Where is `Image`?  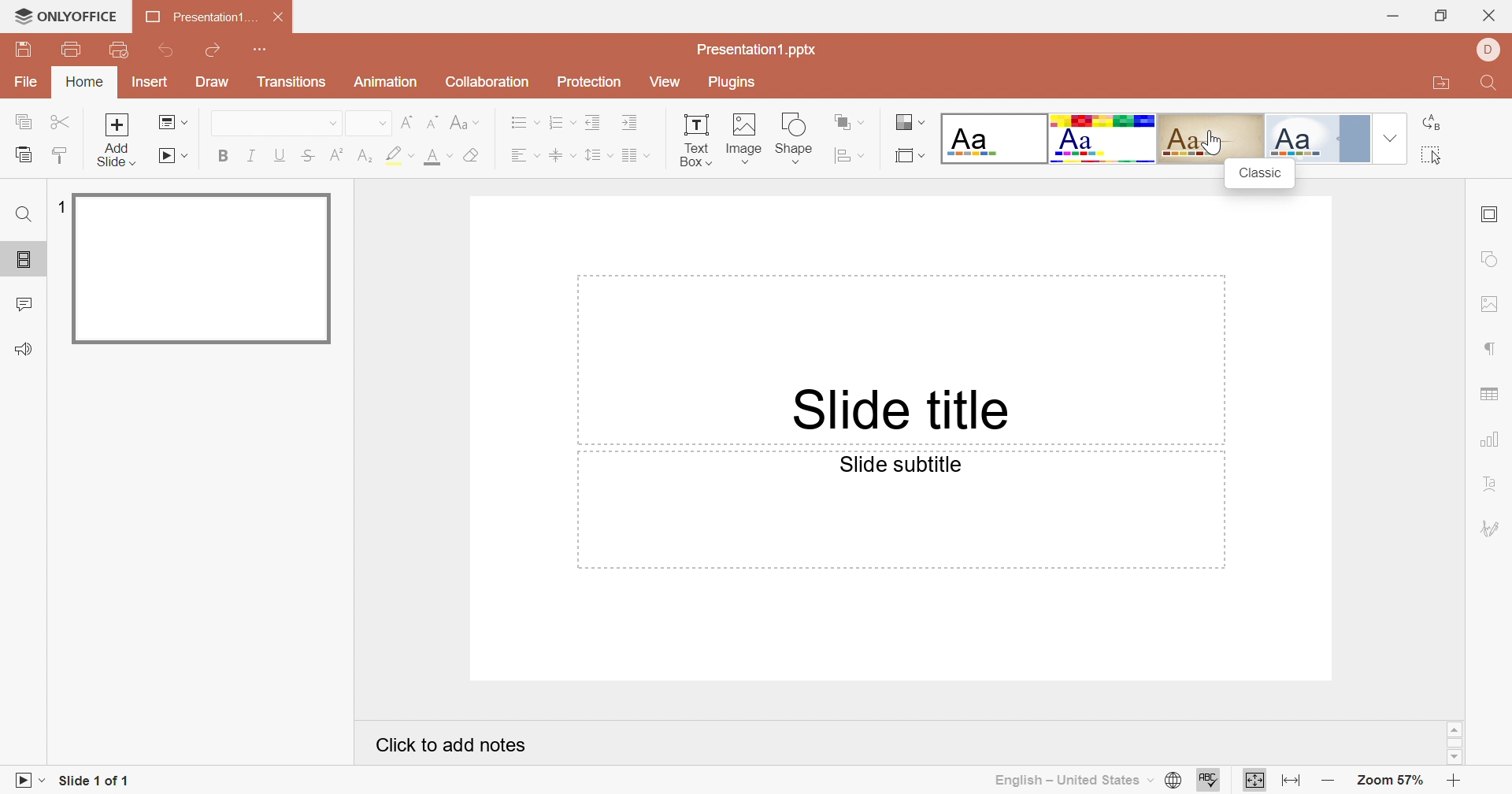
Image is located at coordinates (747, 137).